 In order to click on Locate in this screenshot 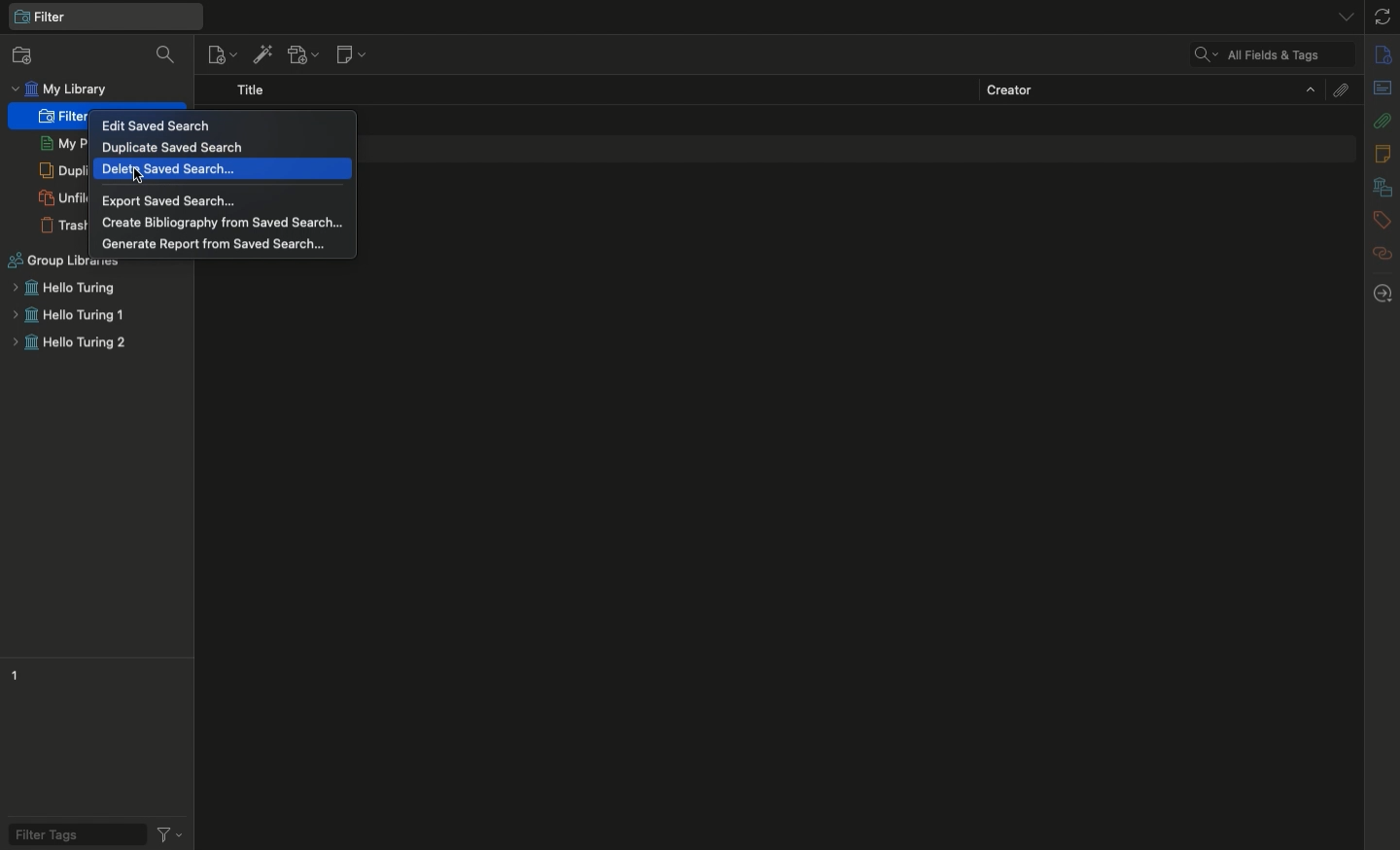, I will do `click(1382, 294)`.